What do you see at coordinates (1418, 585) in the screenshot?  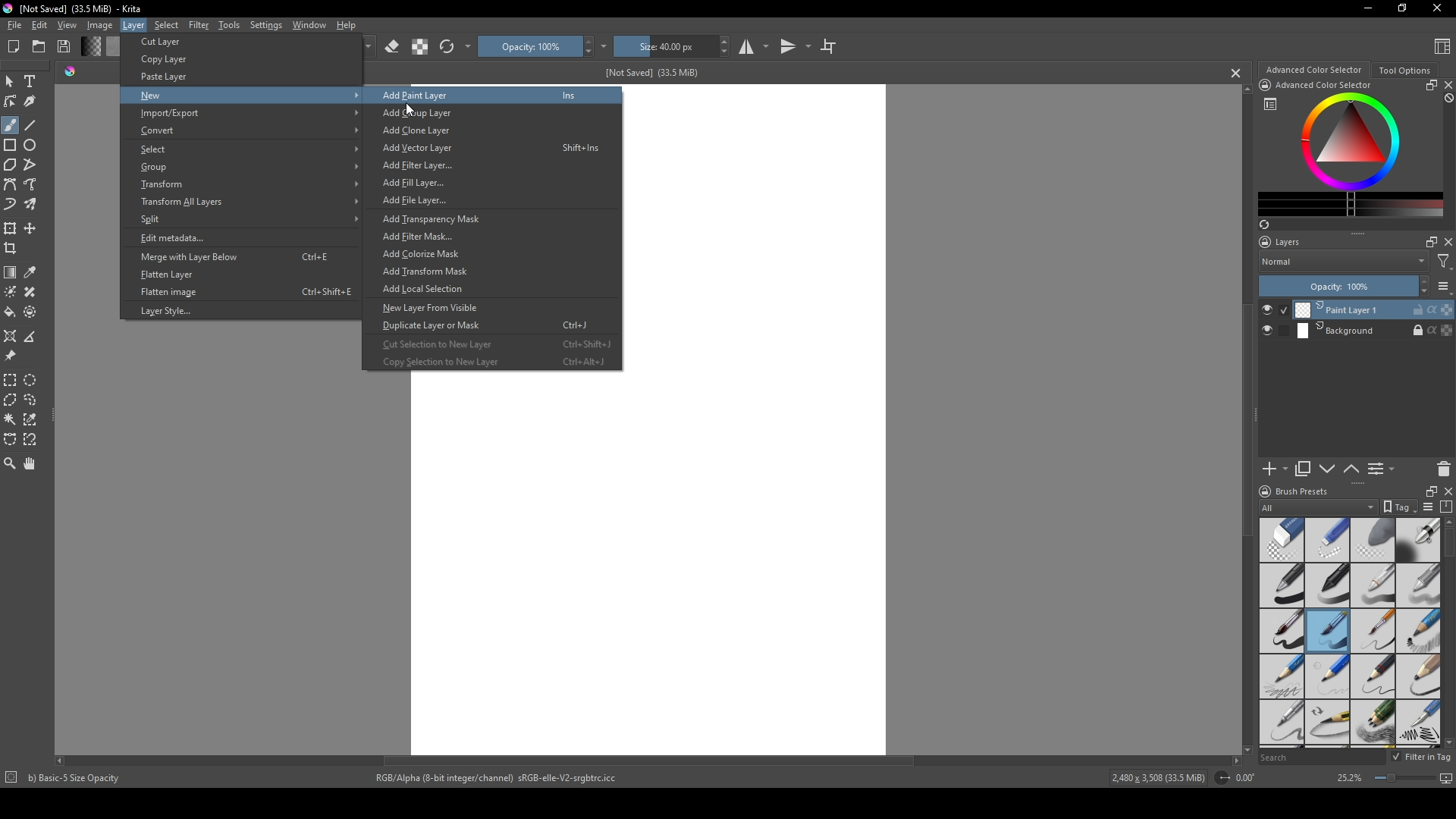 I see `grey pen` at bounding box center [1418, 585].